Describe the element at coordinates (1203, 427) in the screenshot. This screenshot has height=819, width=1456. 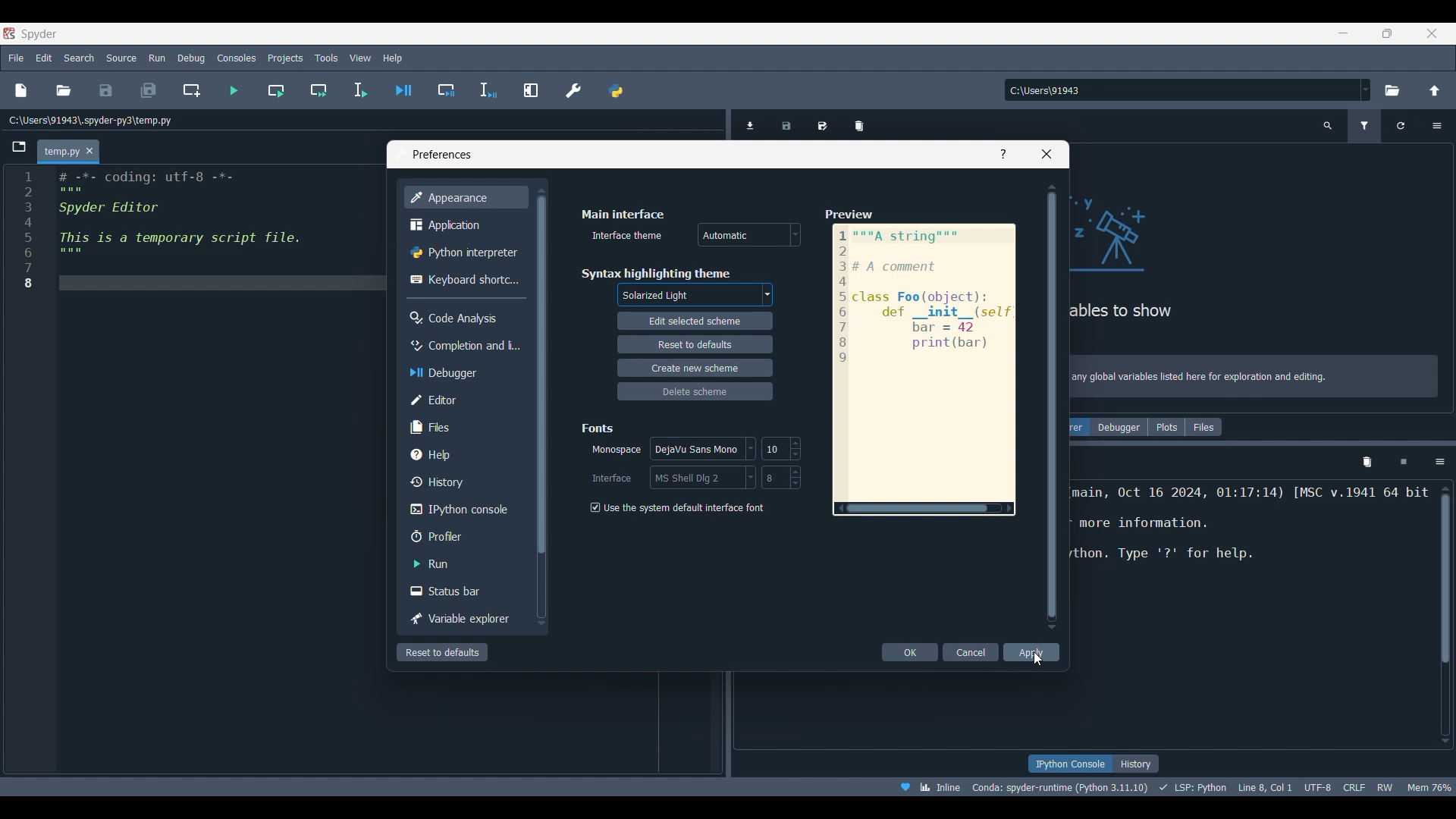
I see `Files` at that location.